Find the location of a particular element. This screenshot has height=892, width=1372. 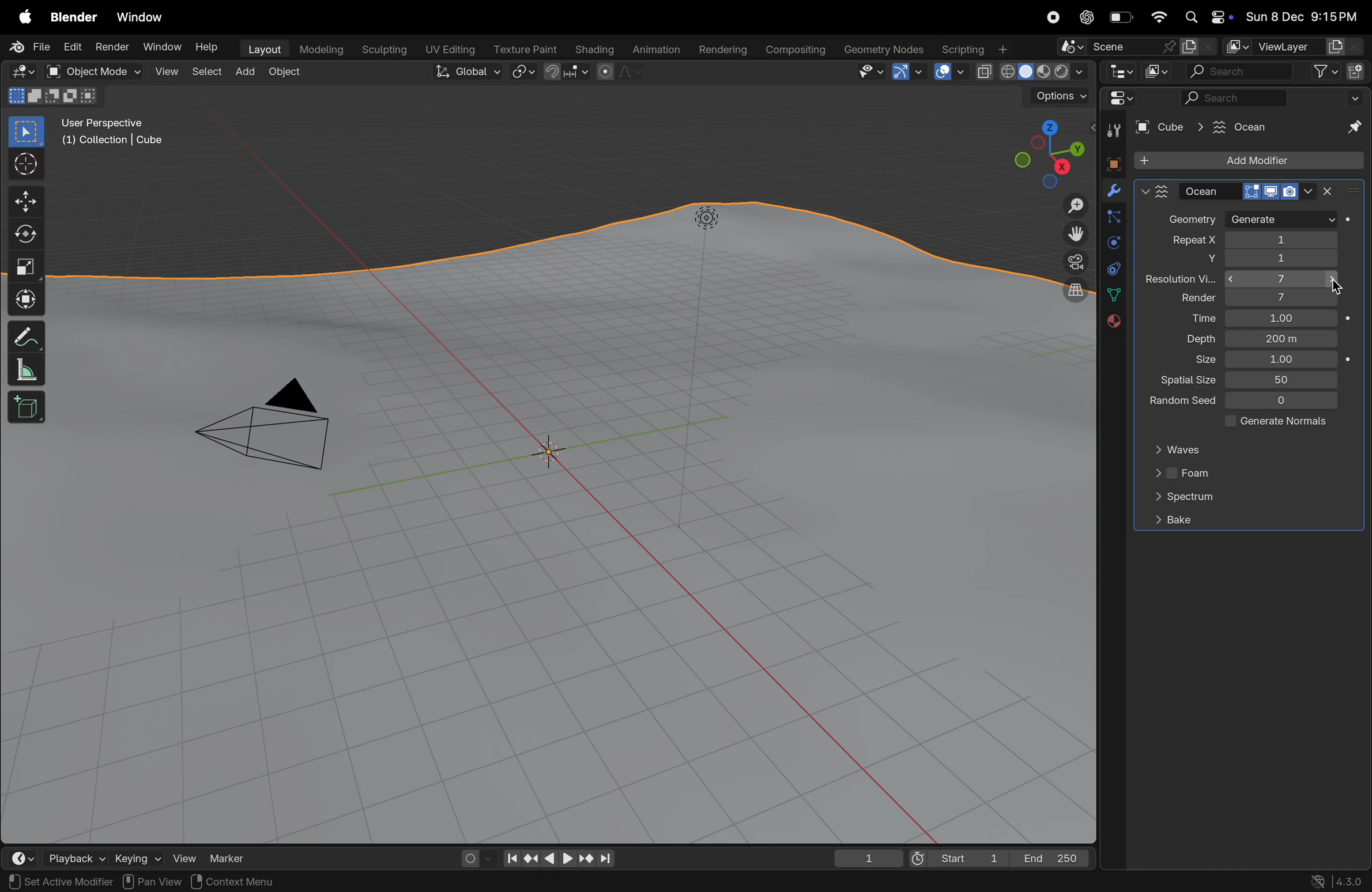

Ocean is located at coordinates (1231, 126).